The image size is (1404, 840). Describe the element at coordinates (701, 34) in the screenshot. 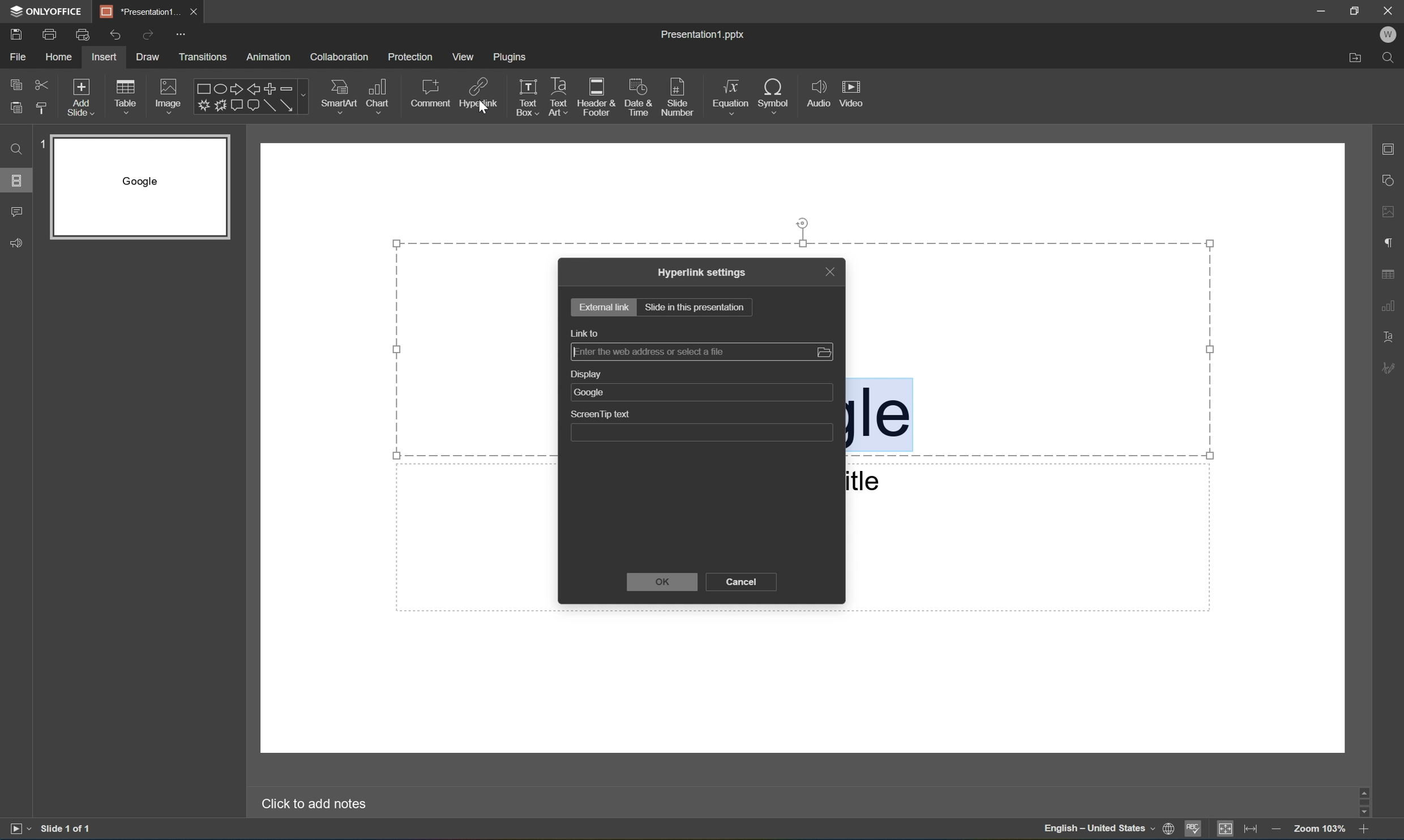

I see `Presentation1.pptx` at that location.